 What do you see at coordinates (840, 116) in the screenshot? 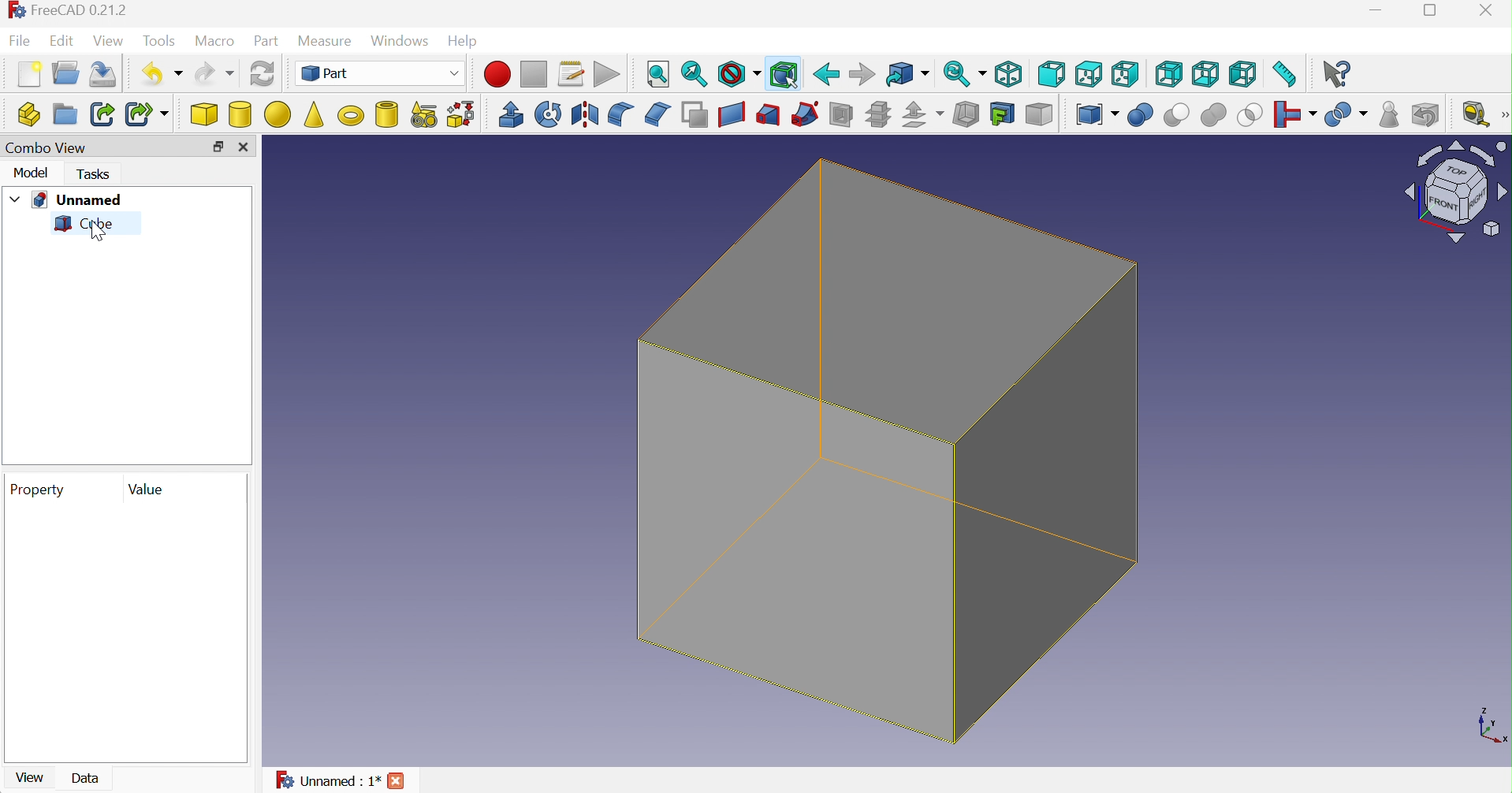
I see `Section` at bounding box center [840, 116].